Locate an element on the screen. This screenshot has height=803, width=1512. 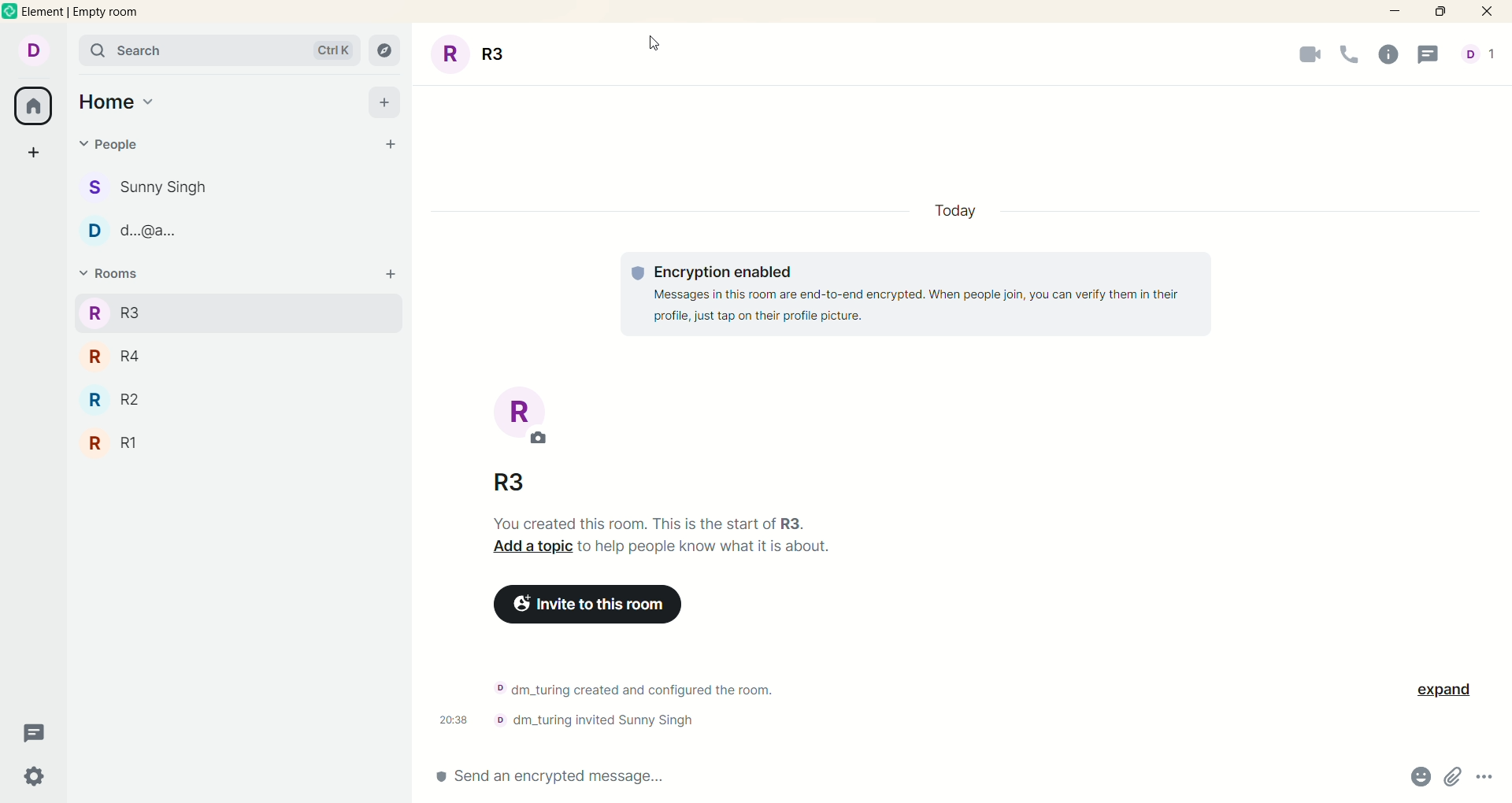
all rooms is located at coordinates (35, 105).